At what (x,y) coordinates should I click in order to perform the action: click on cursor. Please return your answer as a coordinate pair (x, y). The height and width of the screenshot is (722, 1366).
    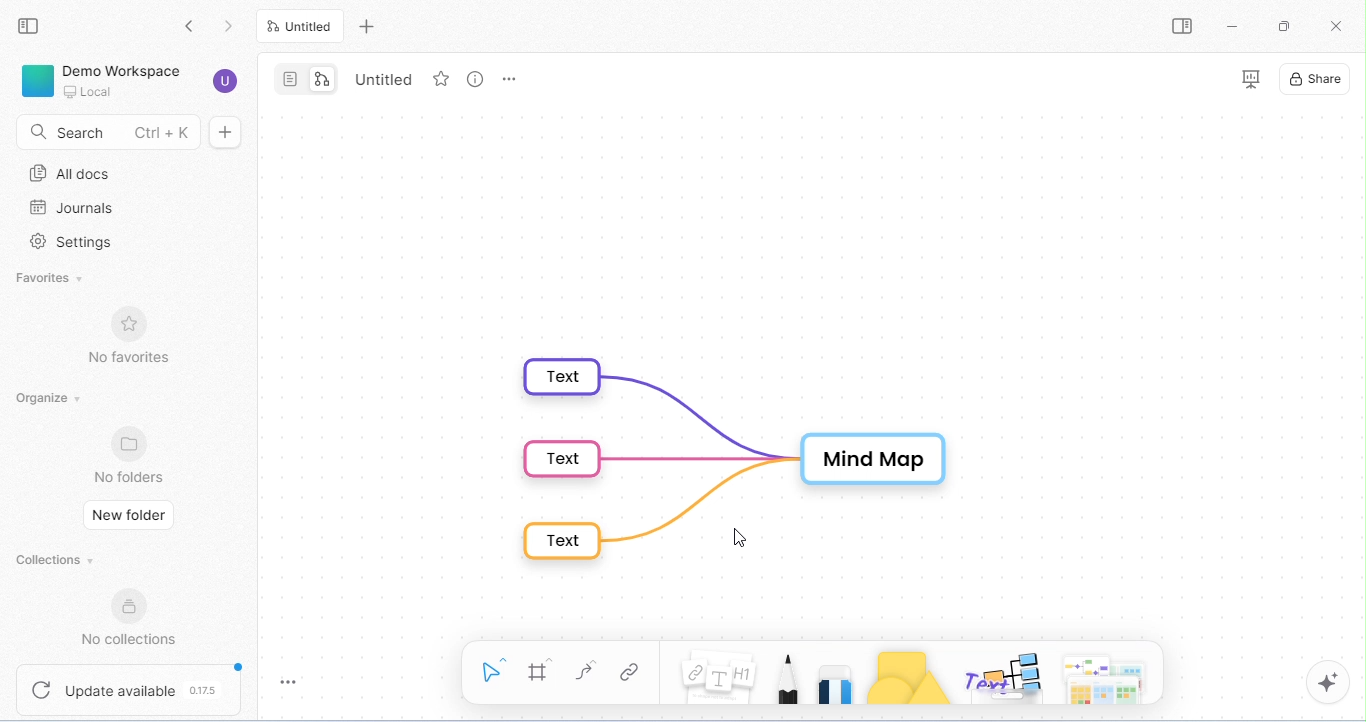
    Looking at the image, I should click on (744, 538).